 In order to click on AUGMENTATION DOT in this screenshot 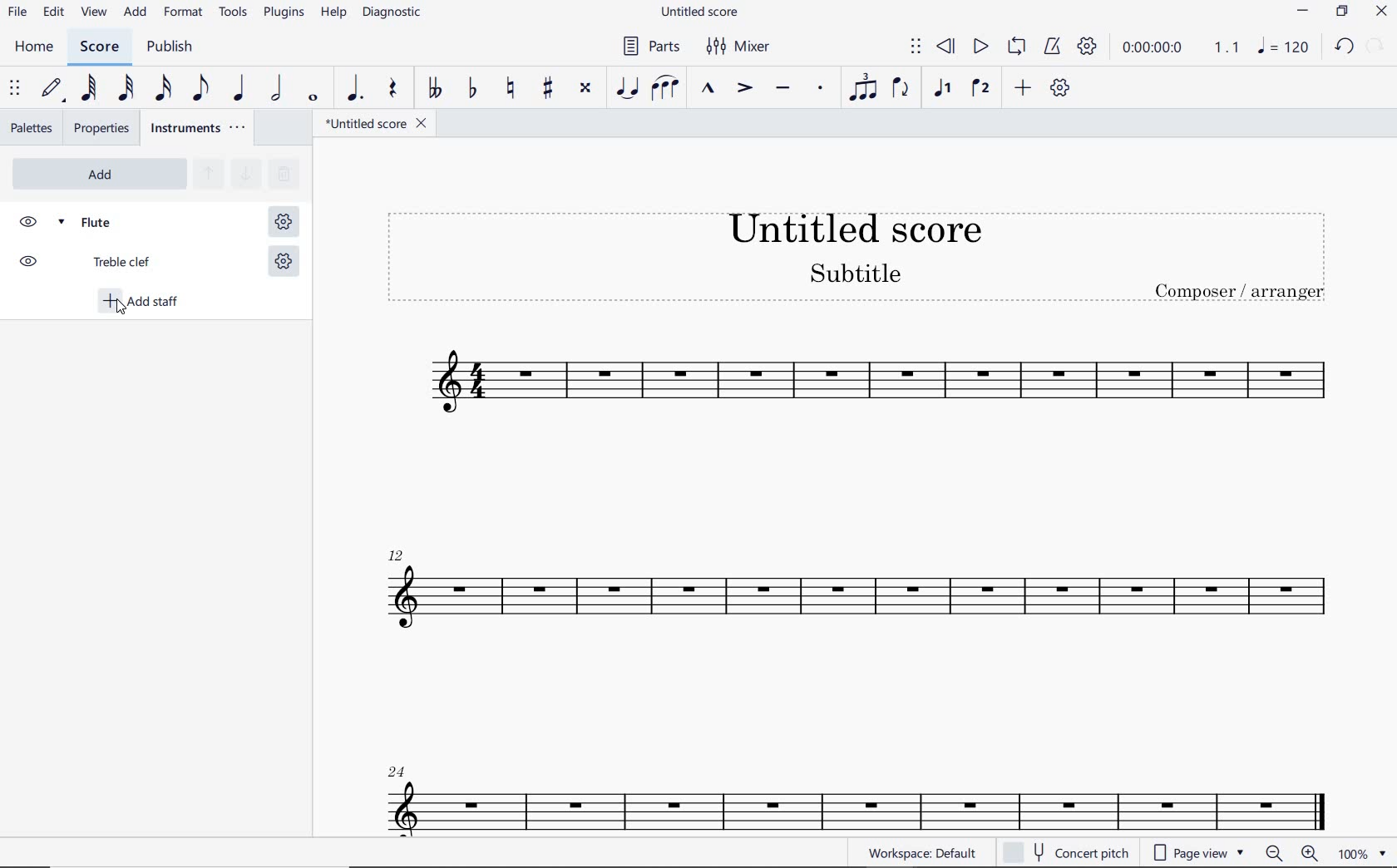, I will do `click(353, 90)`.